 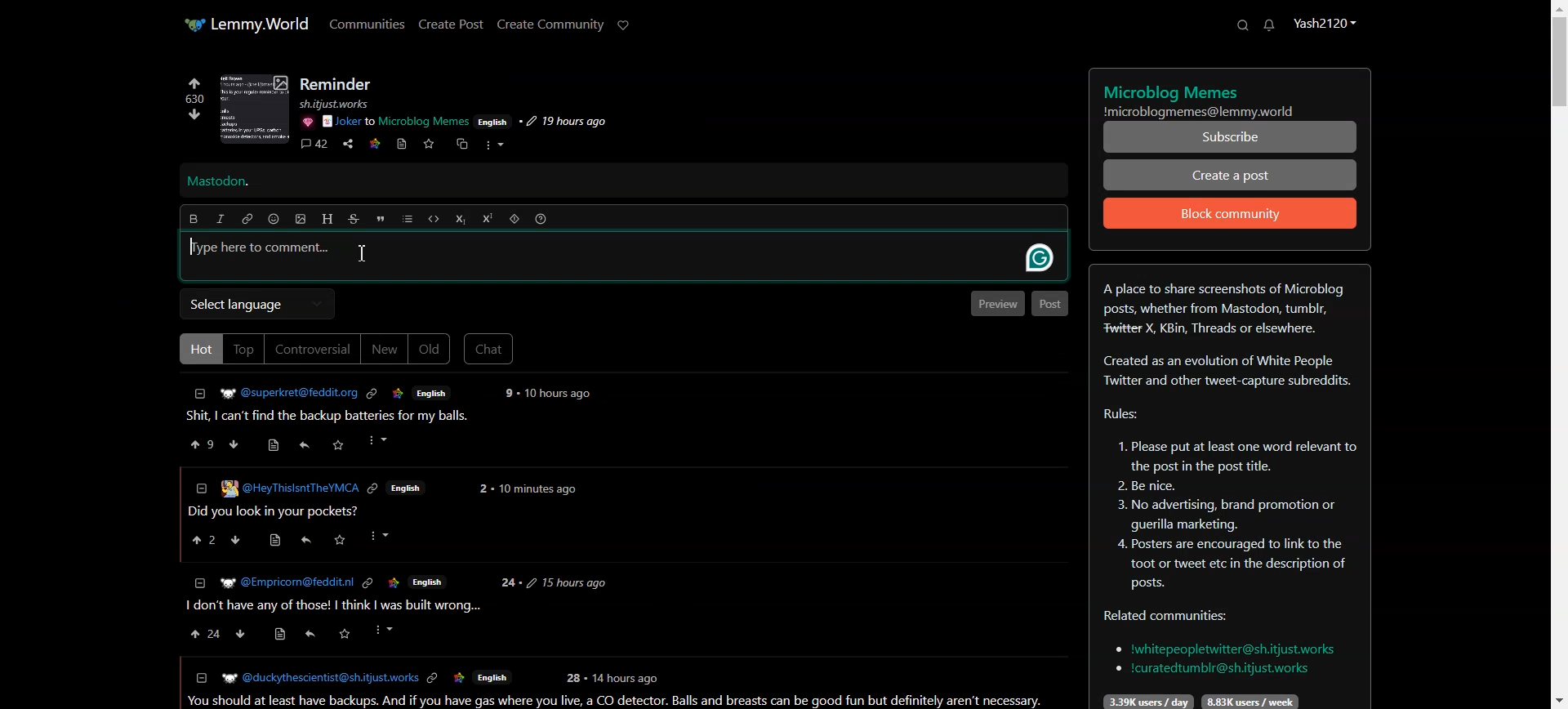 What do you see at coordinates (488, 218) in the screenshot?
I see `Superscript` at bounding box center [488, 218].